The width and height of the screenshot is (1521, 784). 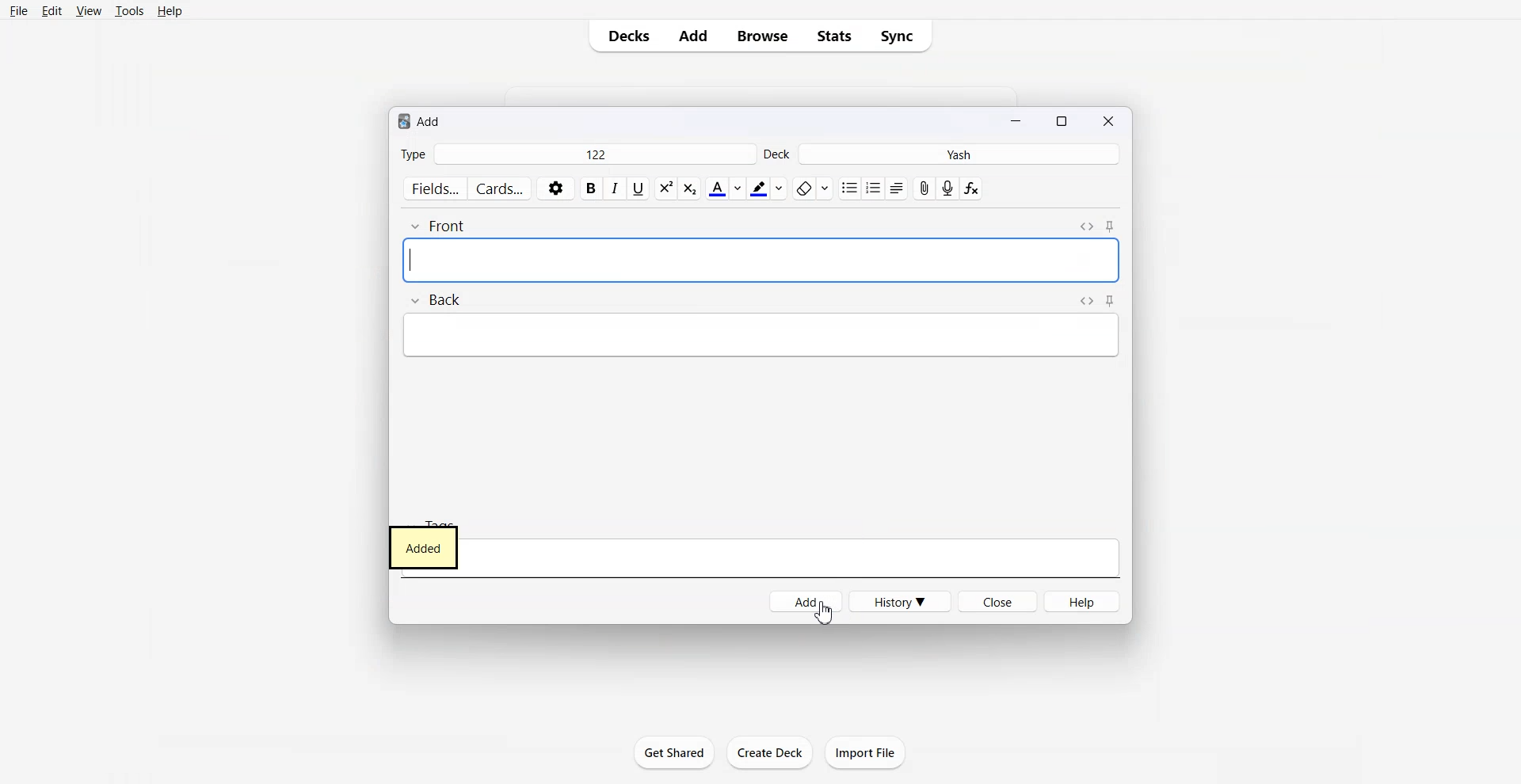 I want to click on Close, so click(x=1107, y=120).